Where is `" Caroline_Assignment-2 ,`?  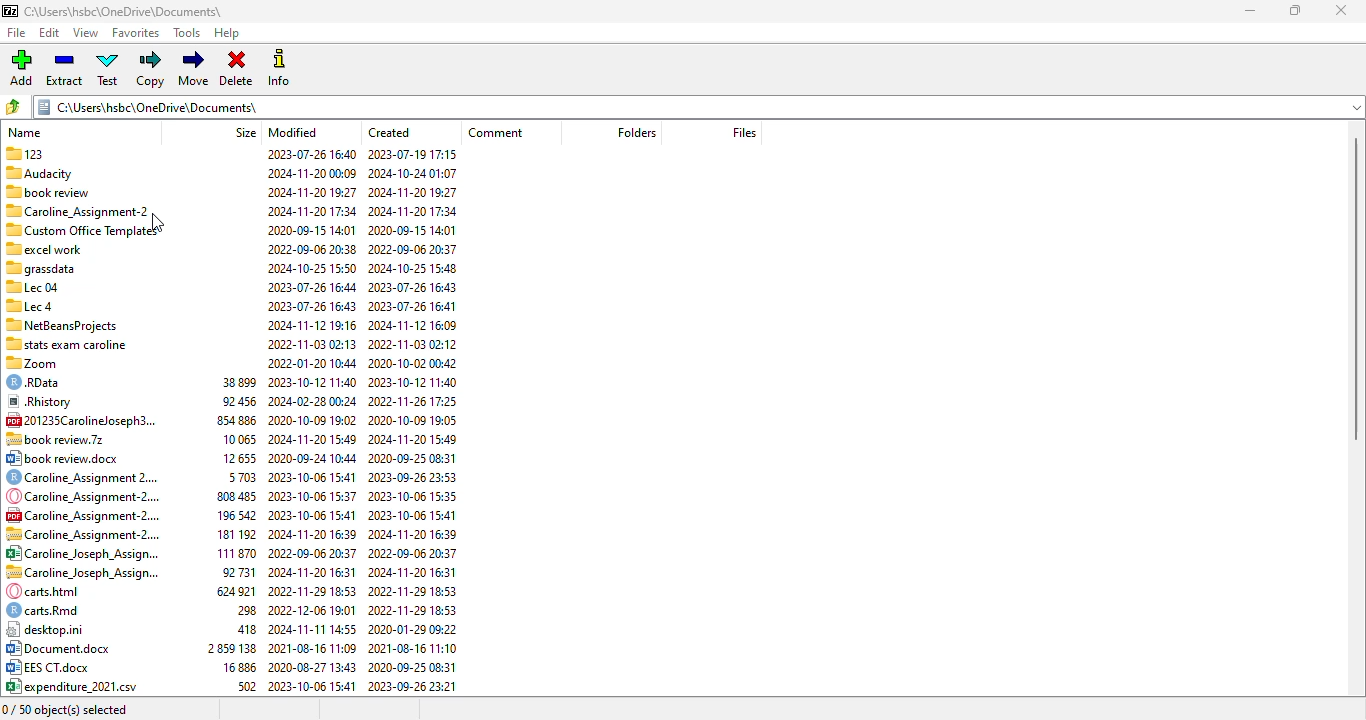 " Caroline_Assignment-2 , is located at coordinates (82, 211).